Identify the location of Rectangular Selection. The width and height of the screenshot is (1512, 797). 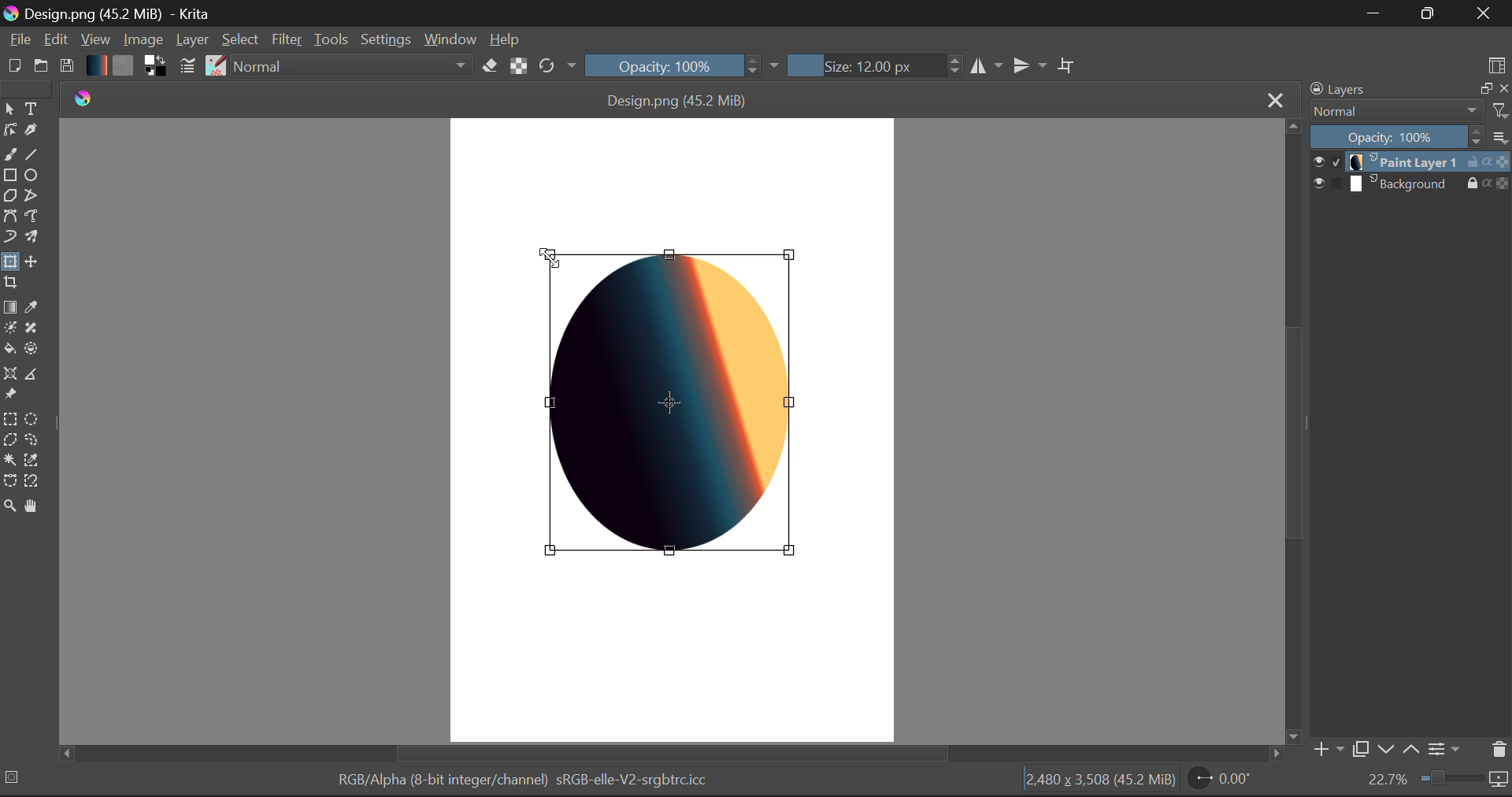
(9, 418).